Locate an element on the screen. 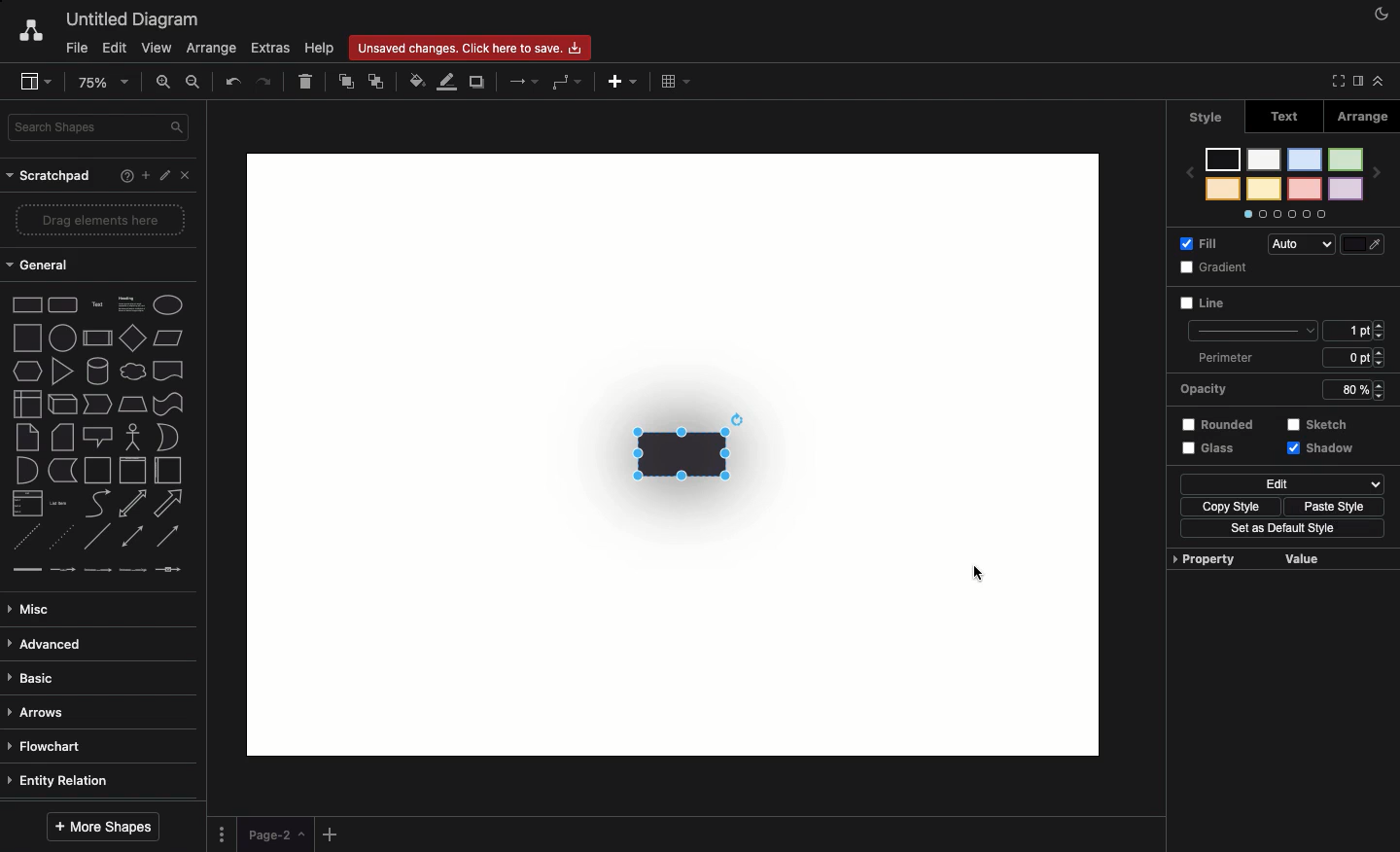 This screenshot has width=1400, height=852. internal storage is located at coordinates (22, 405).